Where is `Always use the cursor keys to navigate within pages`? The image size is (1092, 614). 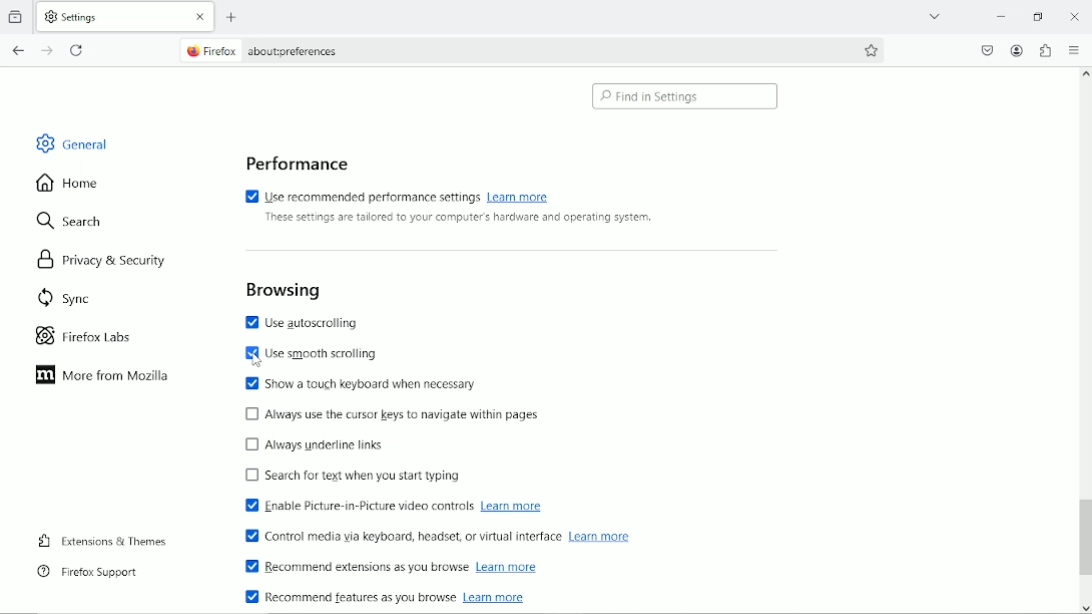 Always use the cursor keys to navigate within pages is located at coordinates (407, 413).